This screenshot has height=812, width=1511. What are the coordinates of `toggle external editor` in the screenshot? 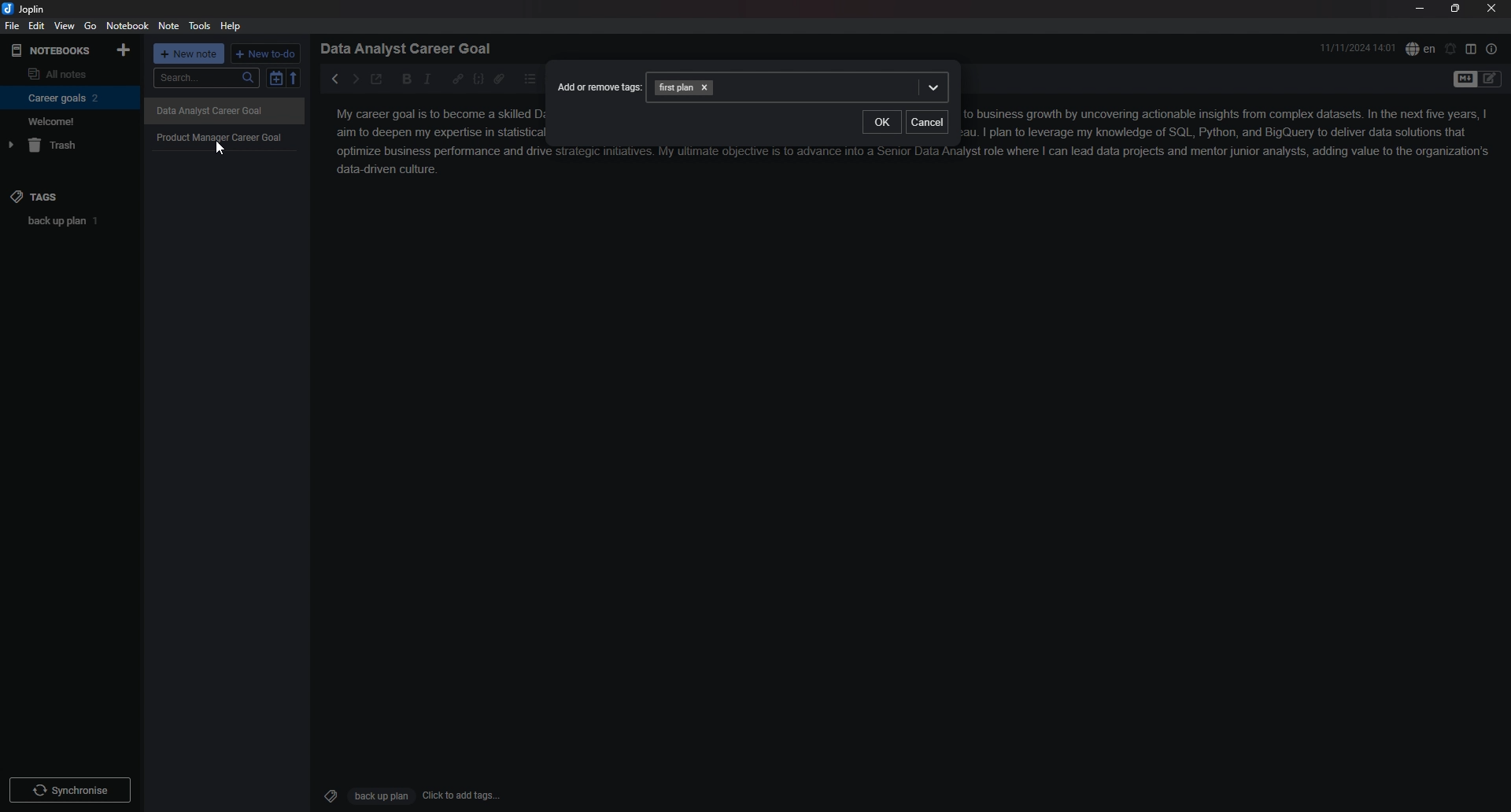 It's located at (378, 79).